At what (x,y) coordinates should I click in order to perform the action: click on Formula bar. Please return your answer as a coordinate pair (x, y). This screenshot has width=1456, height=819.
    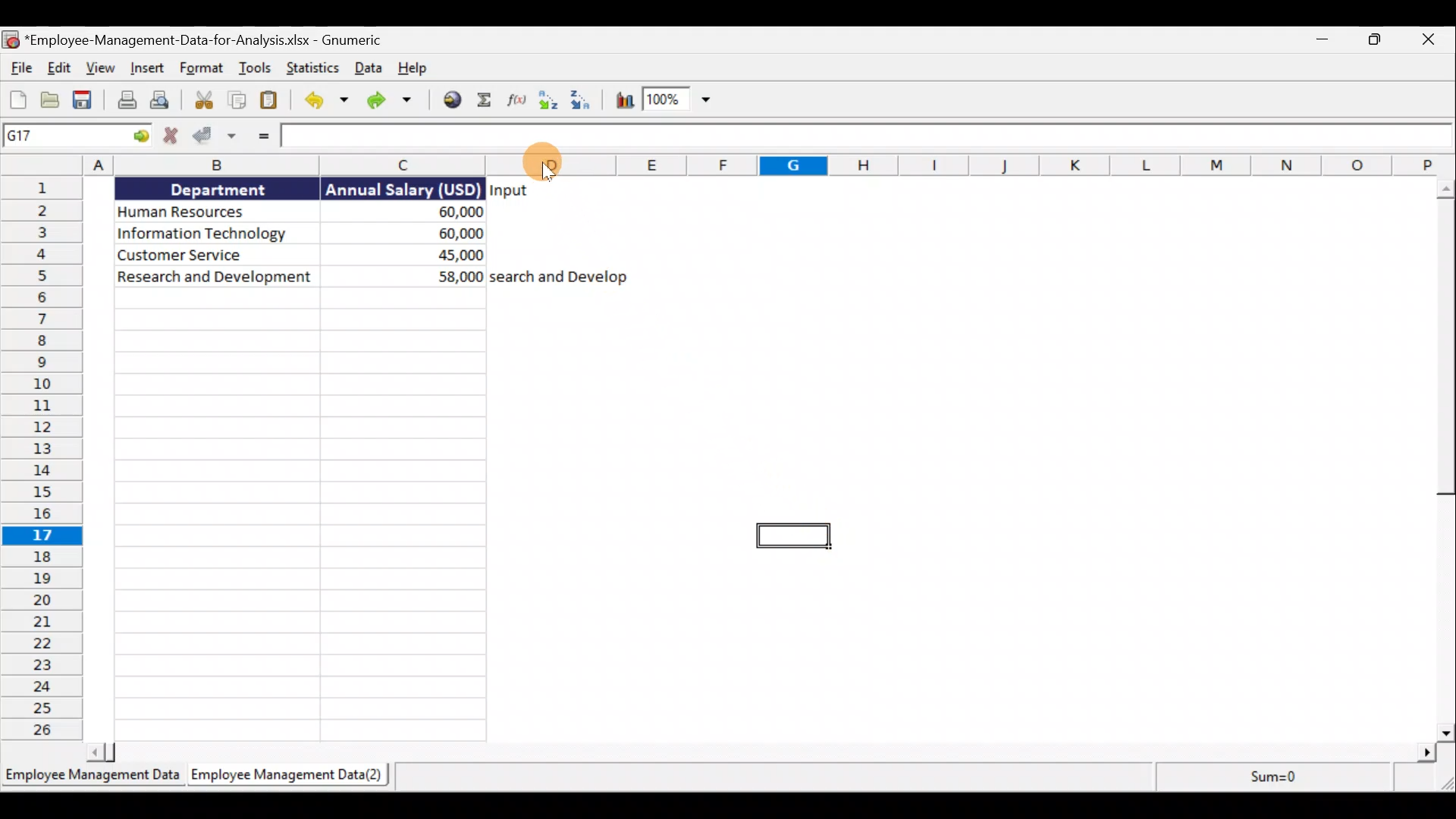
    Looking at the image, I should click on (871, 137).